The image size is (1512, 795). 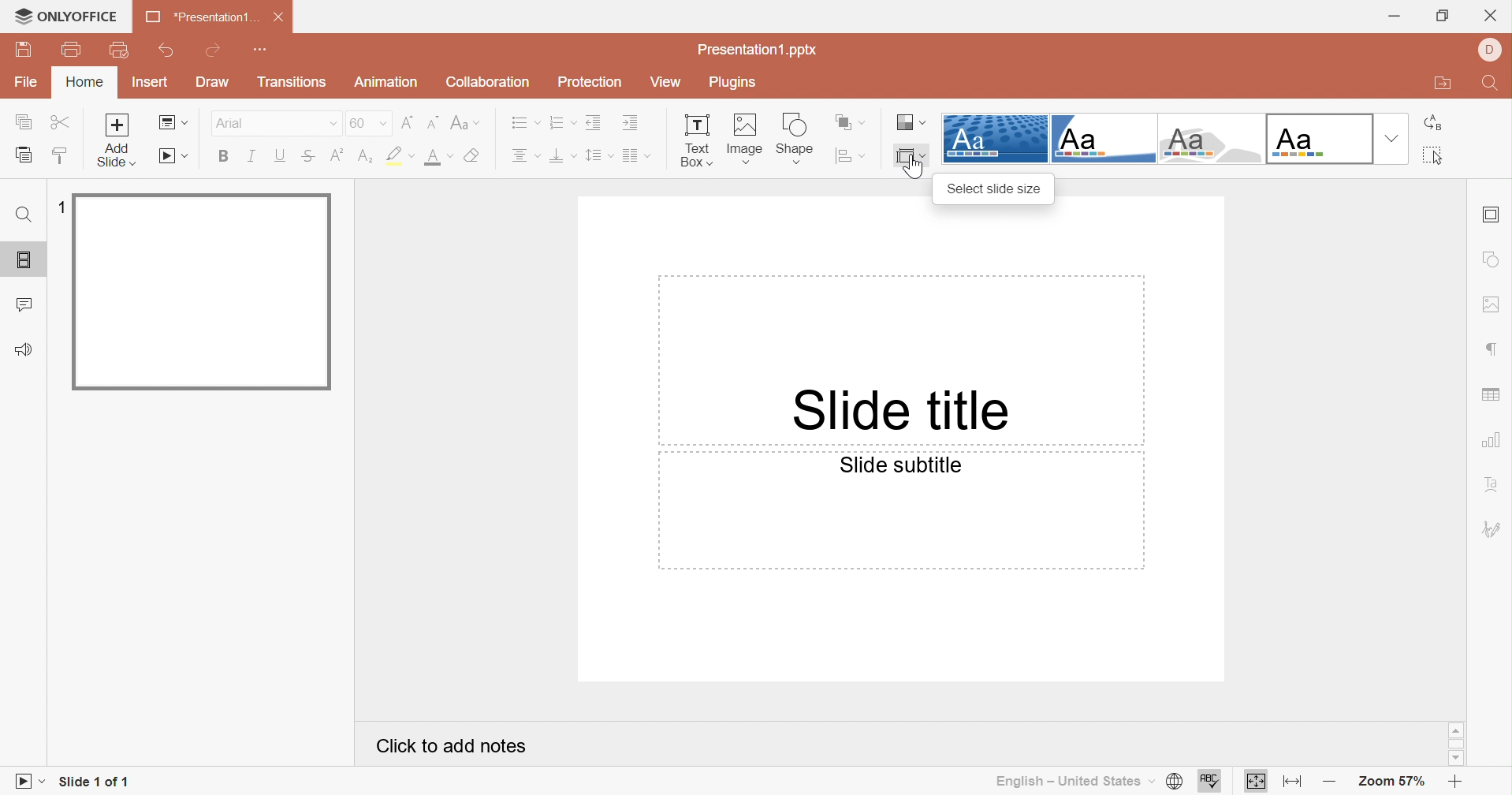 I want to click on Zoom out, so click(x=1453, y=782).